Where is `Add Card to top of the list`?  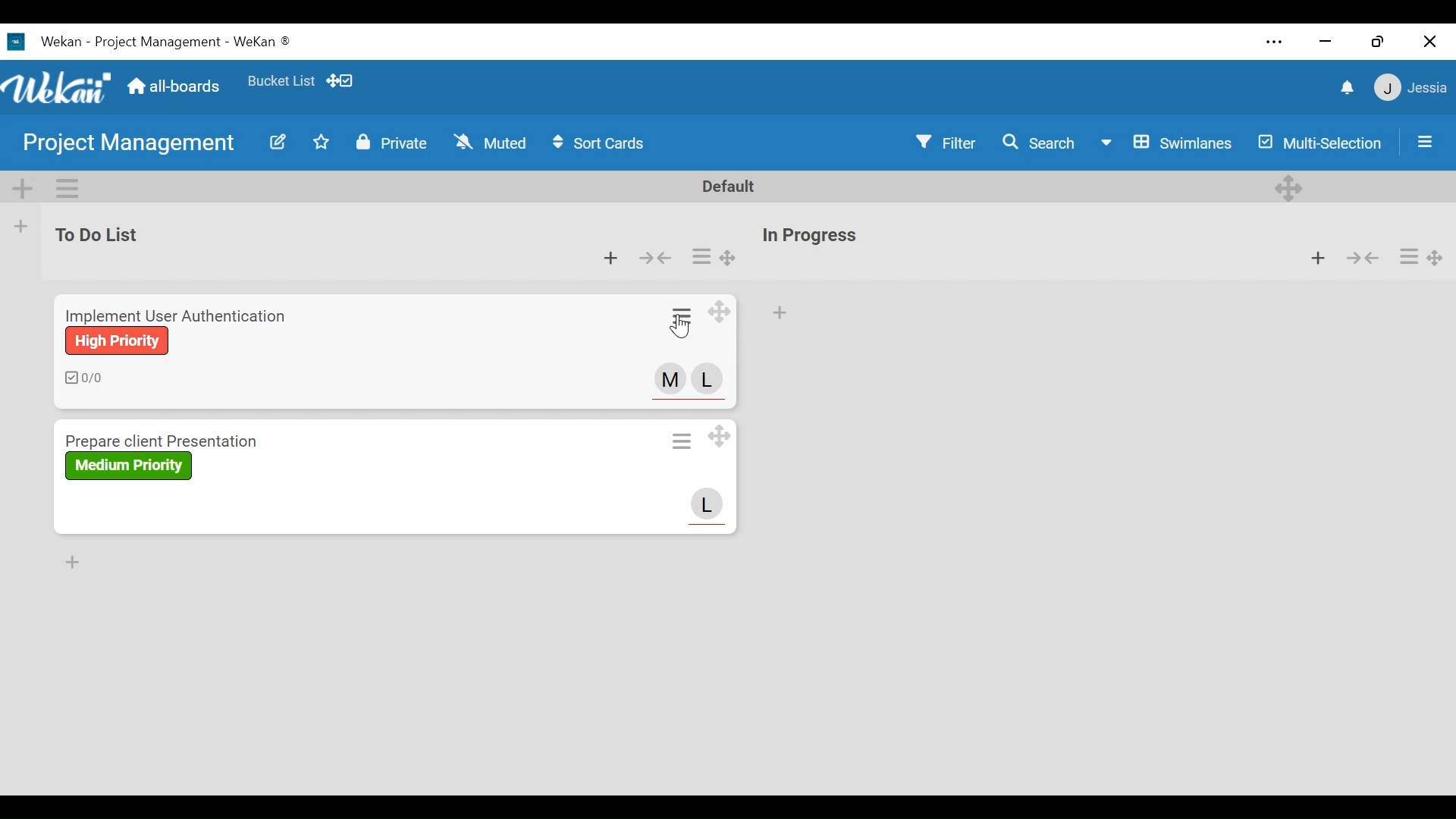
Add Card to top of the list is located at coordinates (779, 313).